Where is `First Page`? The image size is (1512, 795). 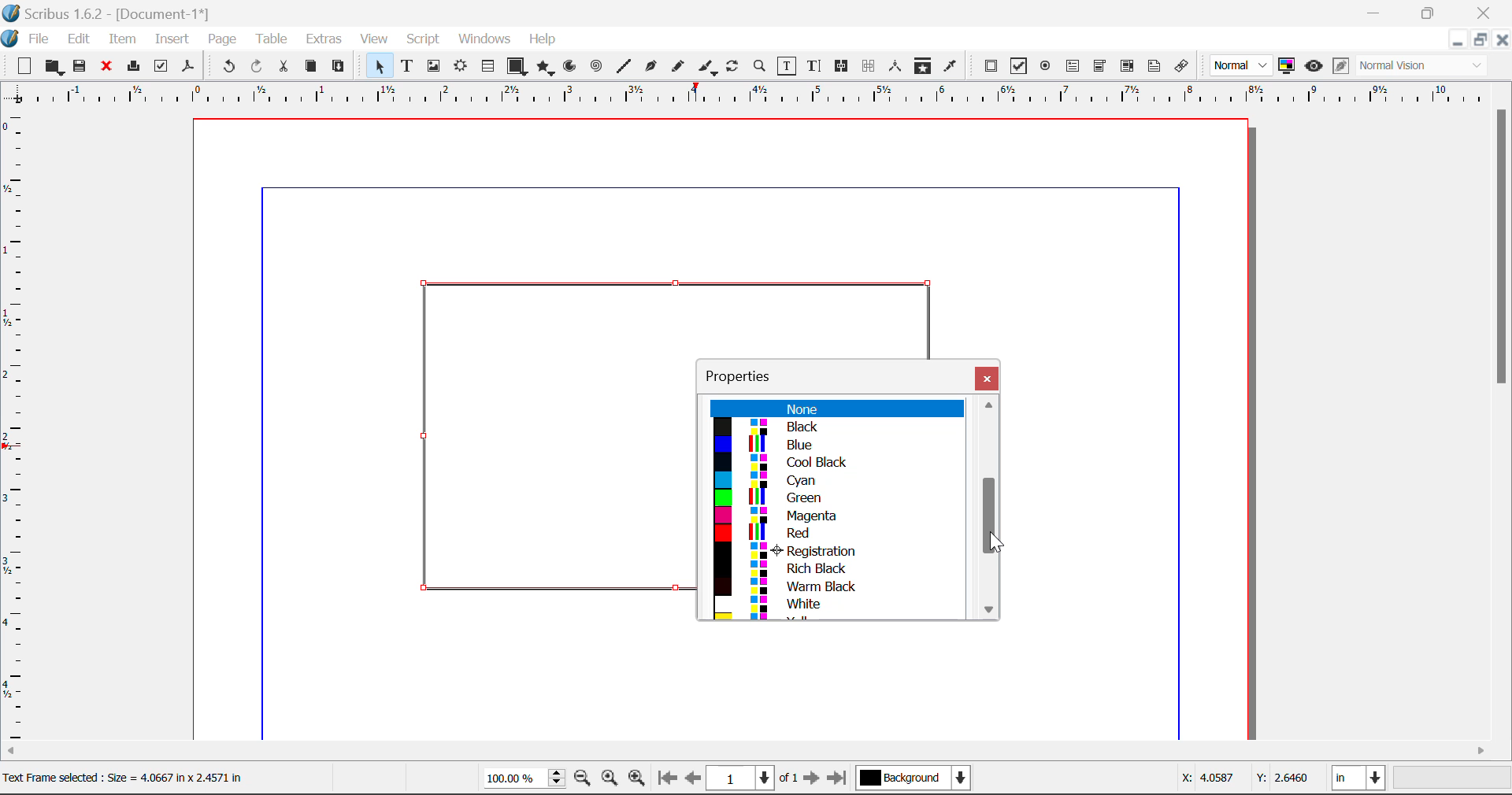
First Page is located at coordinates (667, 780).